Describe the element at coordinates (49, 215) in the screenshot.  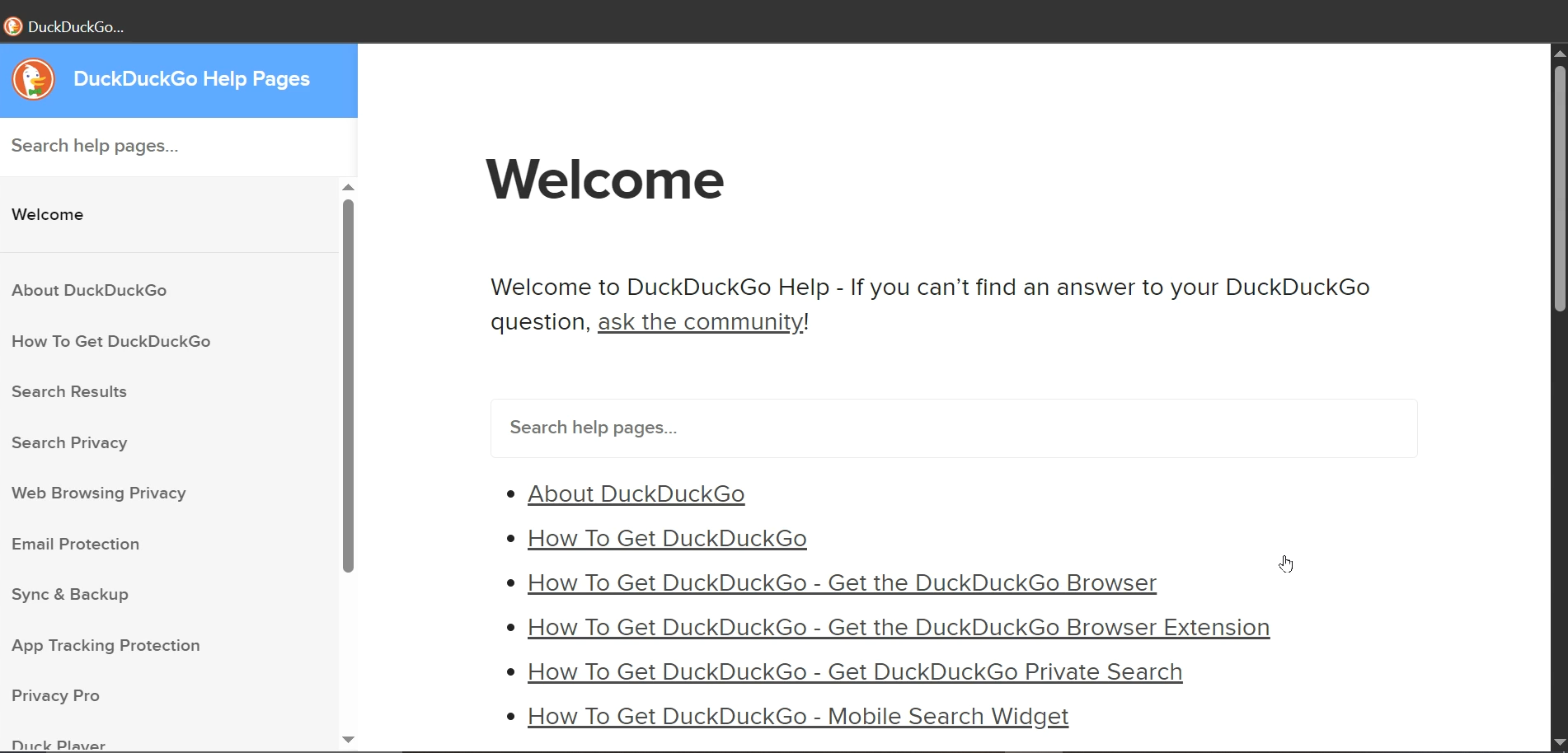
I see `Welcome` at that location.